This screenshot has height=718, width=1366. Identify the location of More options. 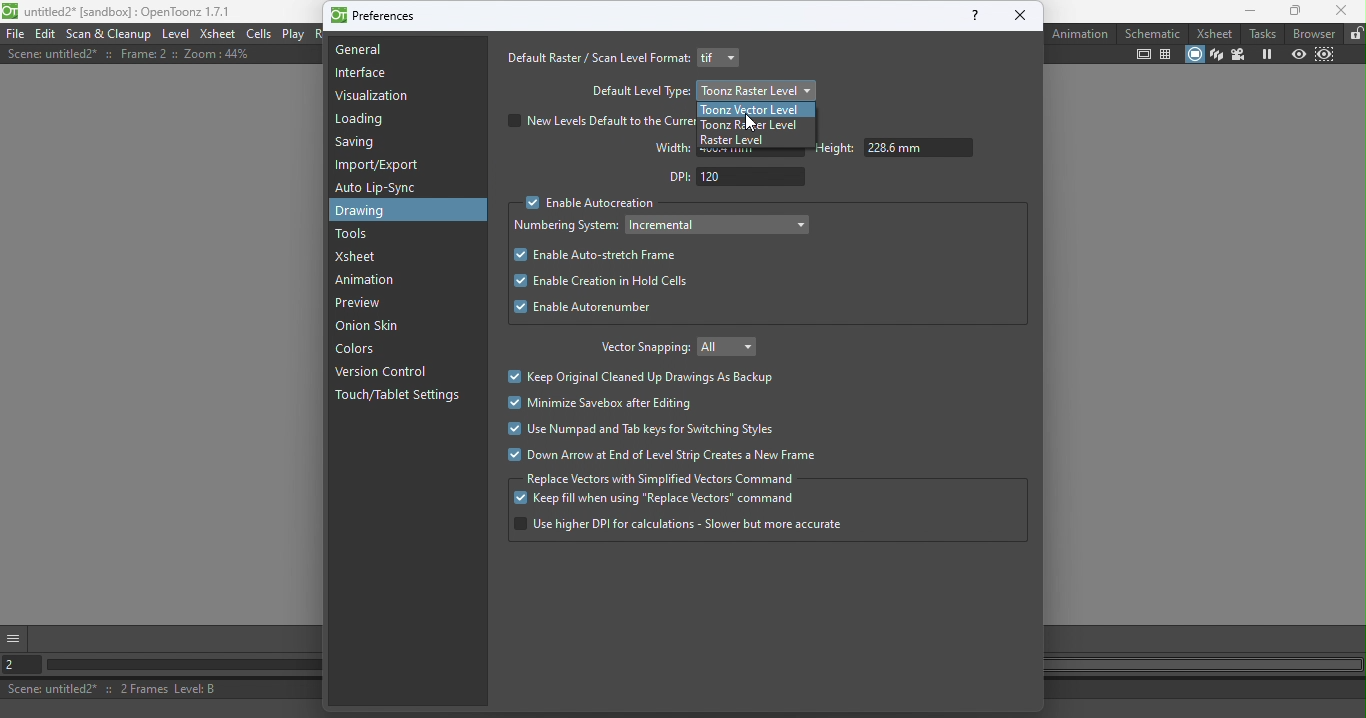
(14, 636).